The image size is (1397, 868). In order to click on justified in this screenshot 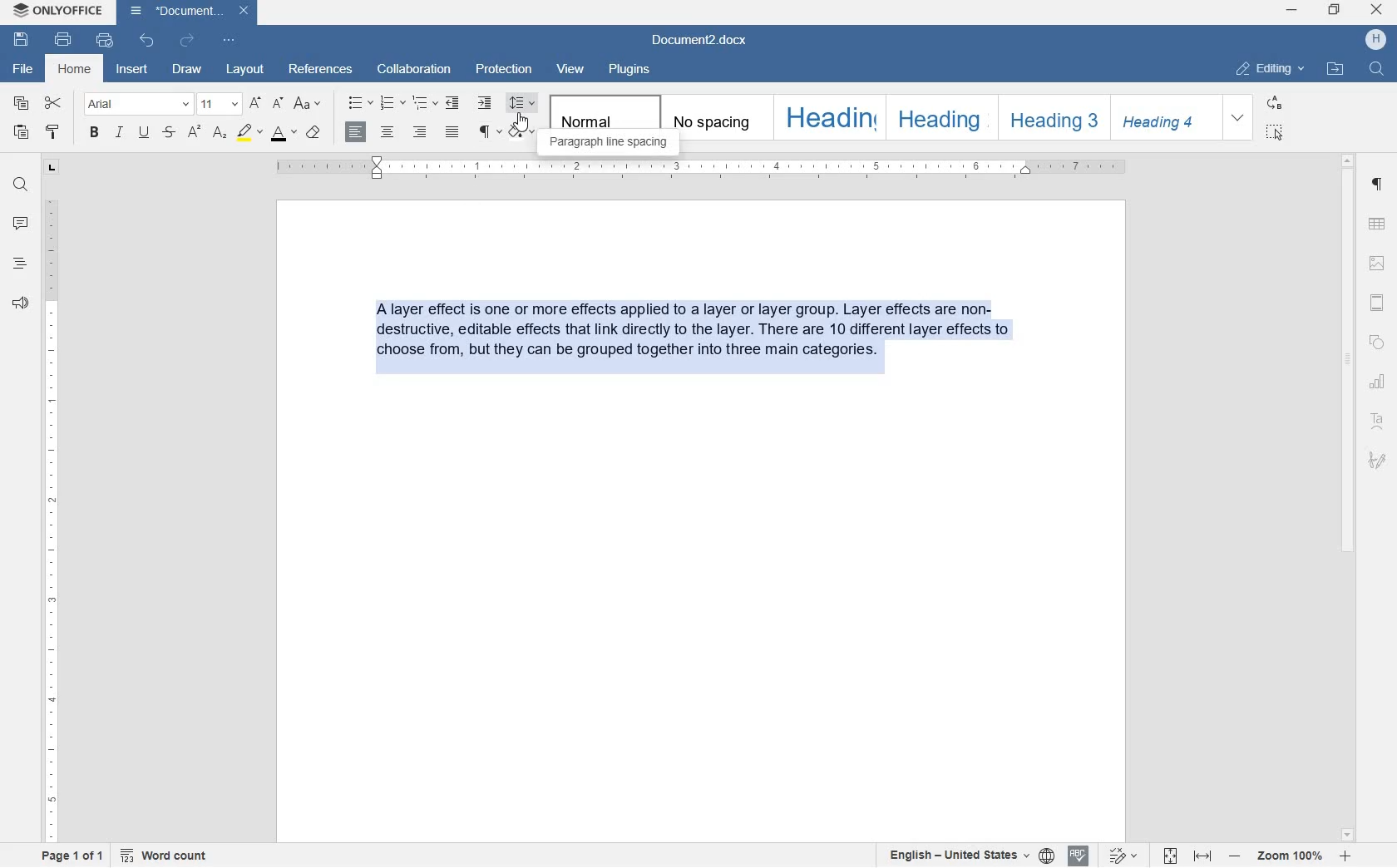, I will do `click(454, 132)`.